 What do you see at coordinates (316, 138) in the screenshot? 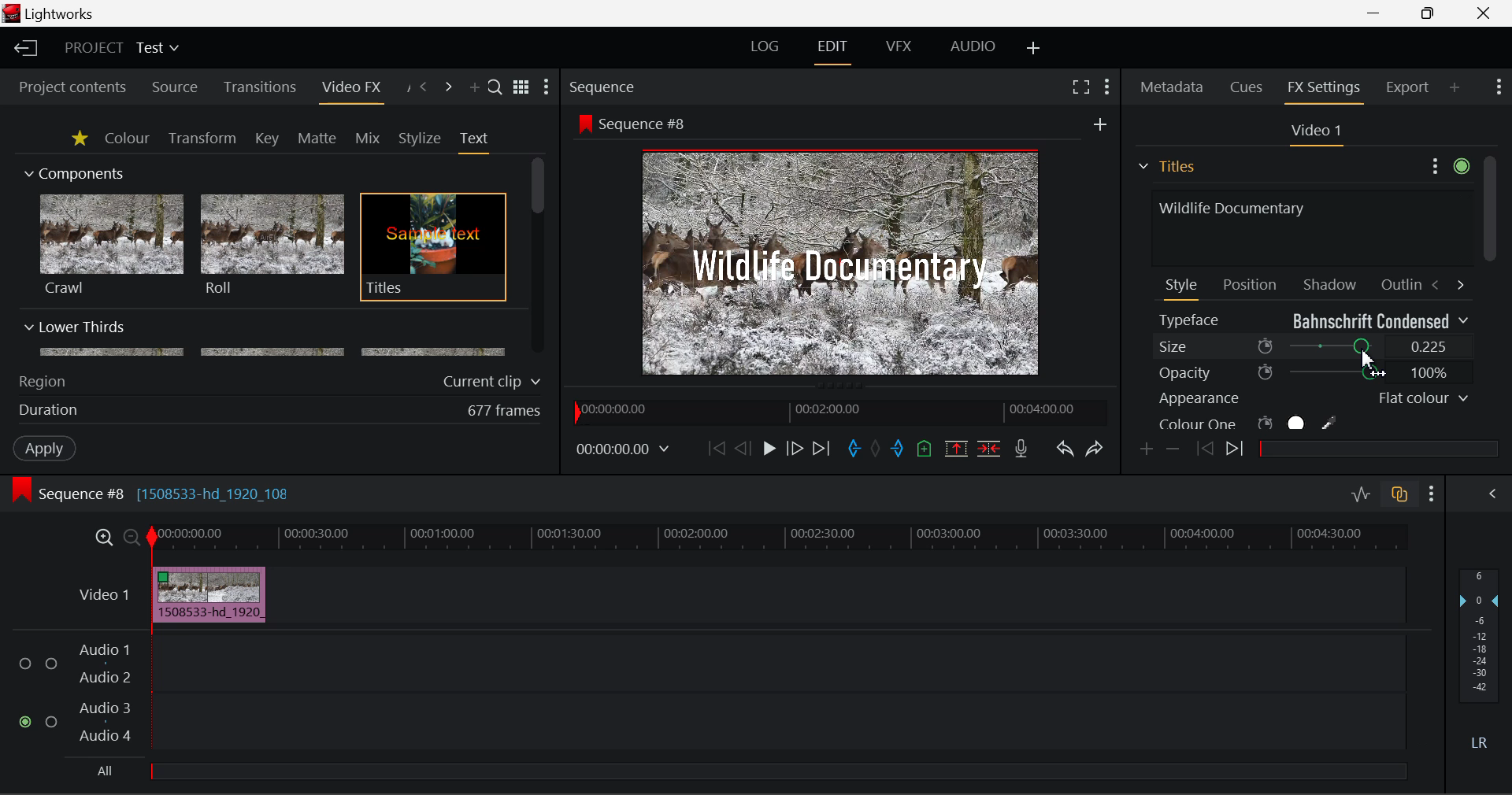
I see `Matte` at bounding box center [316, 138].